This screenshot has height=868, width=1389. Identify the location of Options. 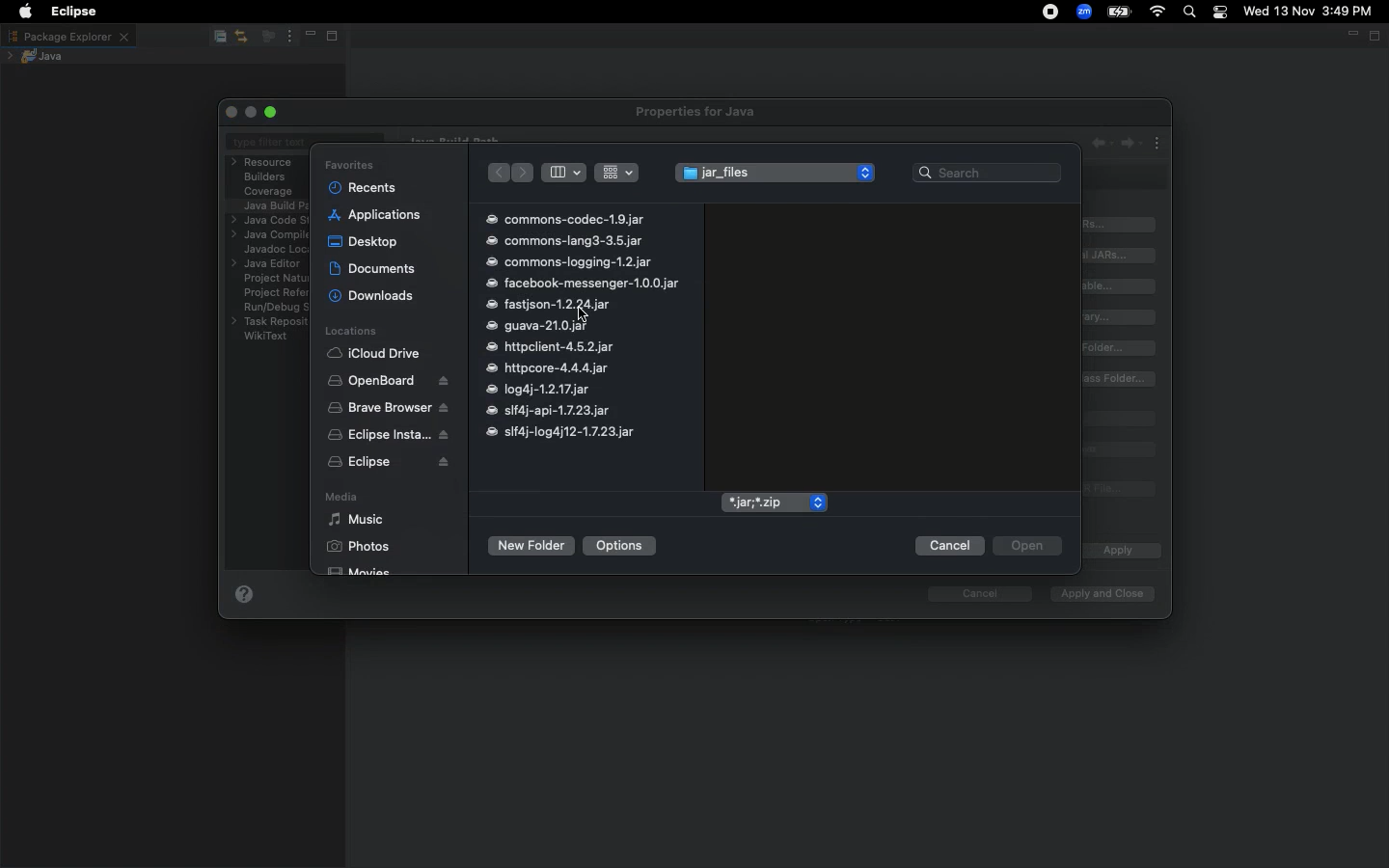
(621, 545).